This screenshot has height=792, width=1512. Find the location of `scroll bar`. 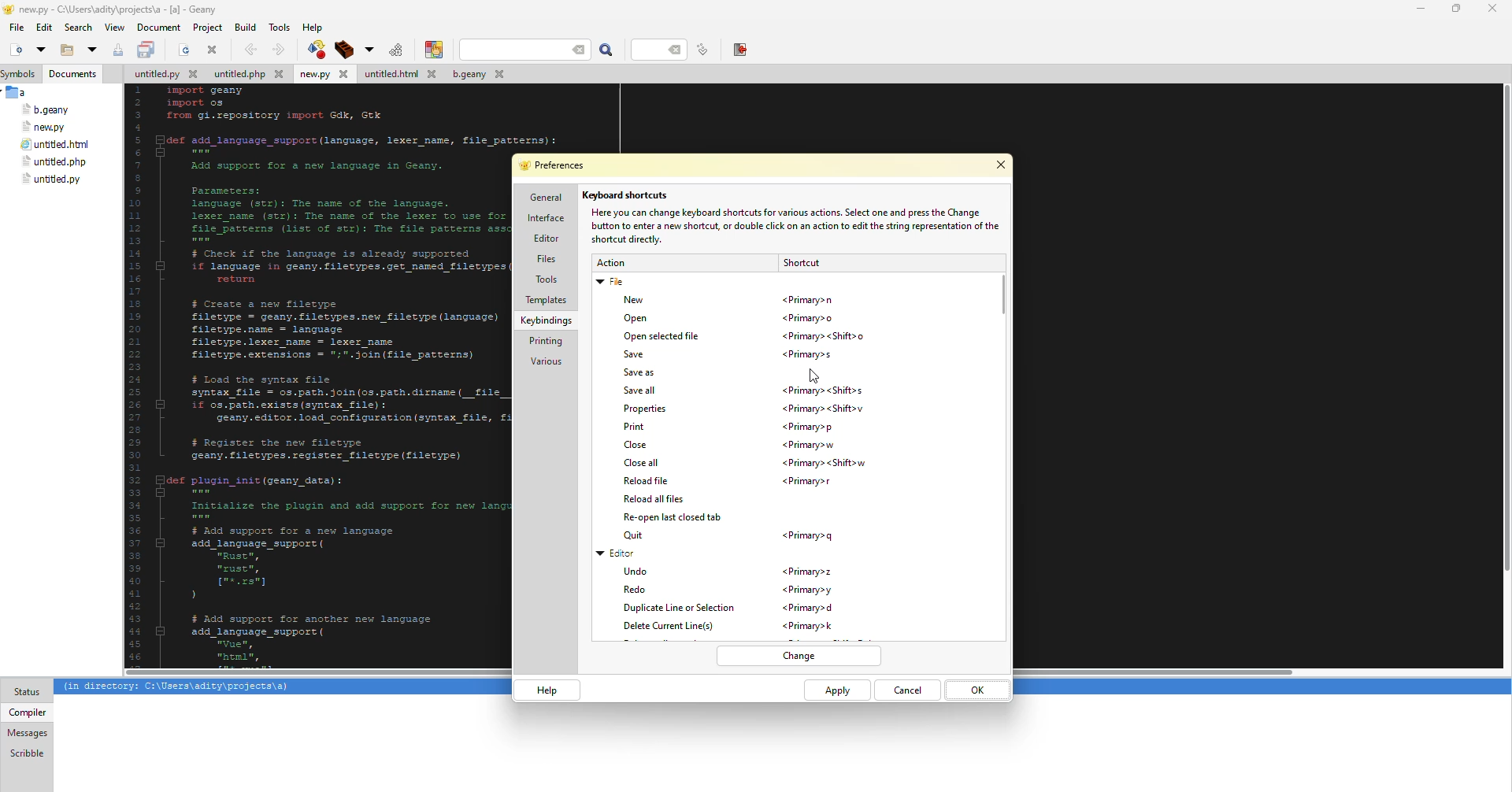

scroll bar is located at coordinates (1003, 287).